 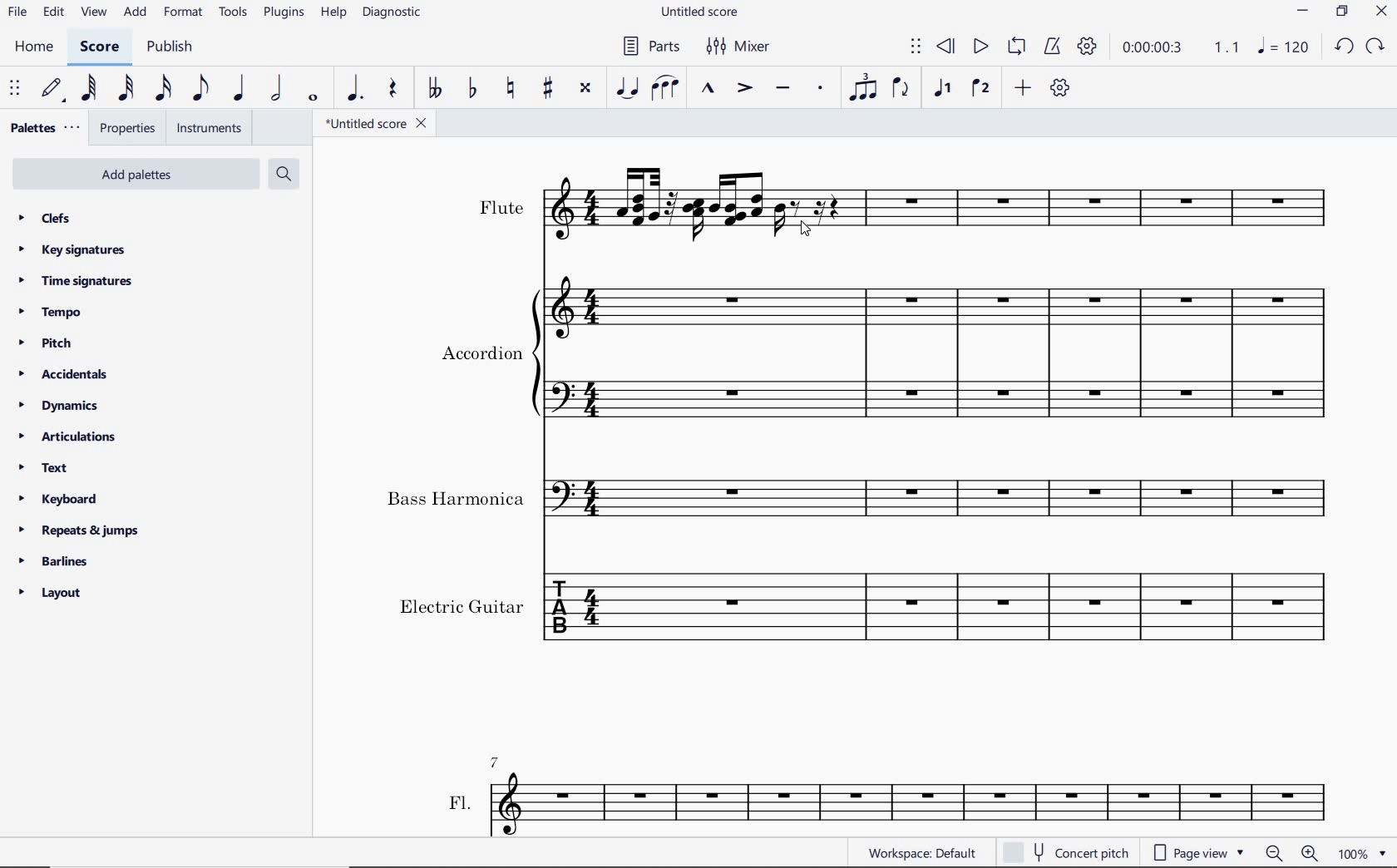 What do you see at coordinates (944, 91) in the screenshot?
I see `voice 1` at bounding box center [944, 91].